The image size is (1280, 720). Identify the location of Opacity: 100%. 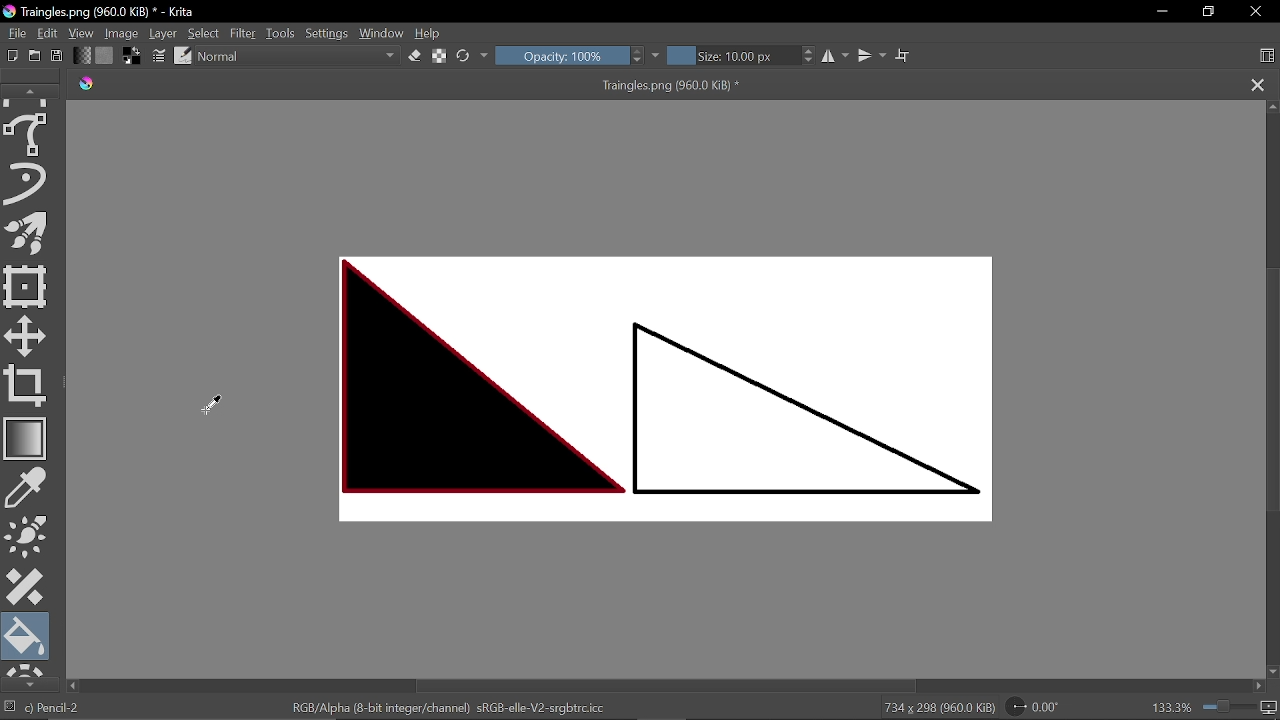
(570, 57).